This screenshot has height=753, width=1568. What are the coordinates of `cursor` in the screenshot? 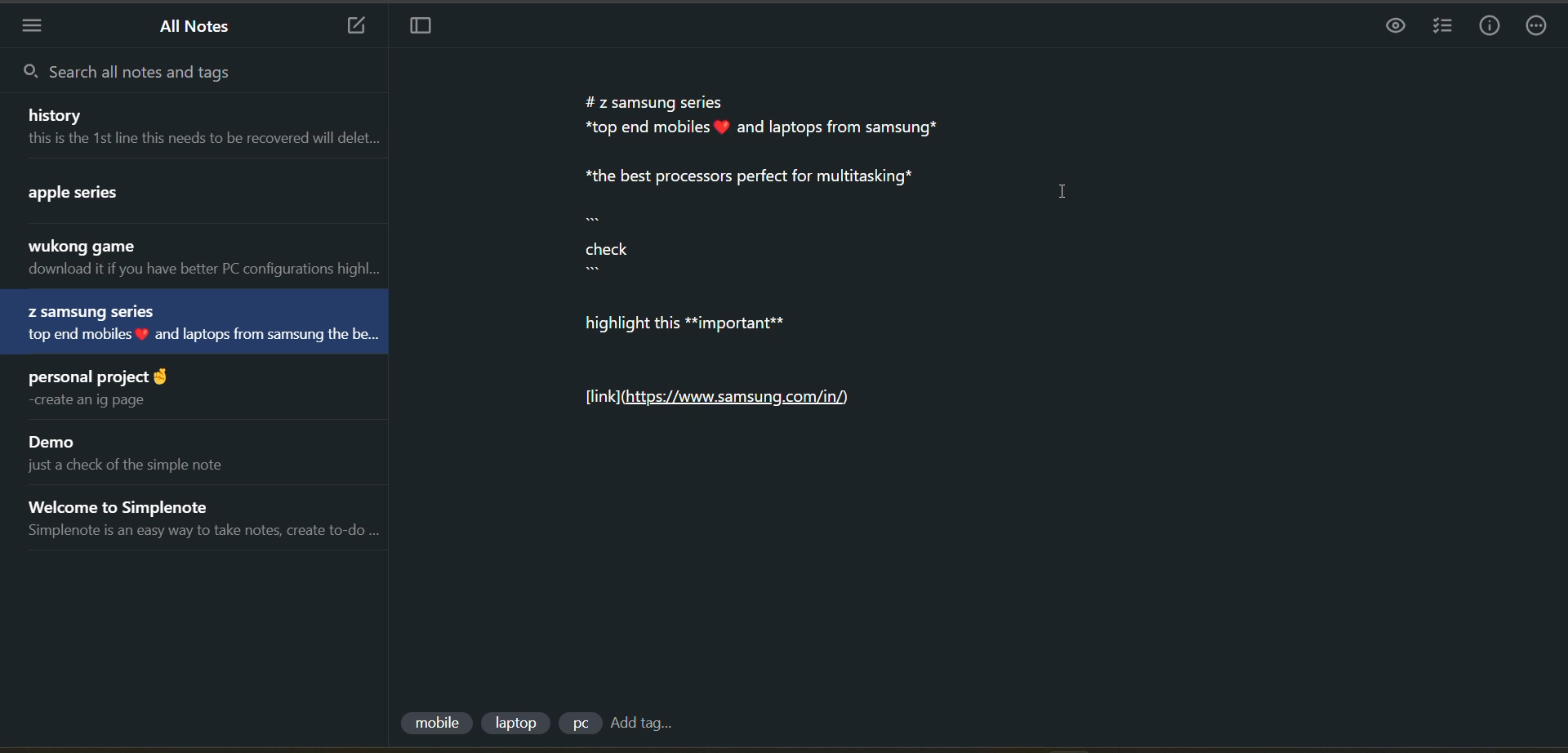 It's located at (1062, 189).